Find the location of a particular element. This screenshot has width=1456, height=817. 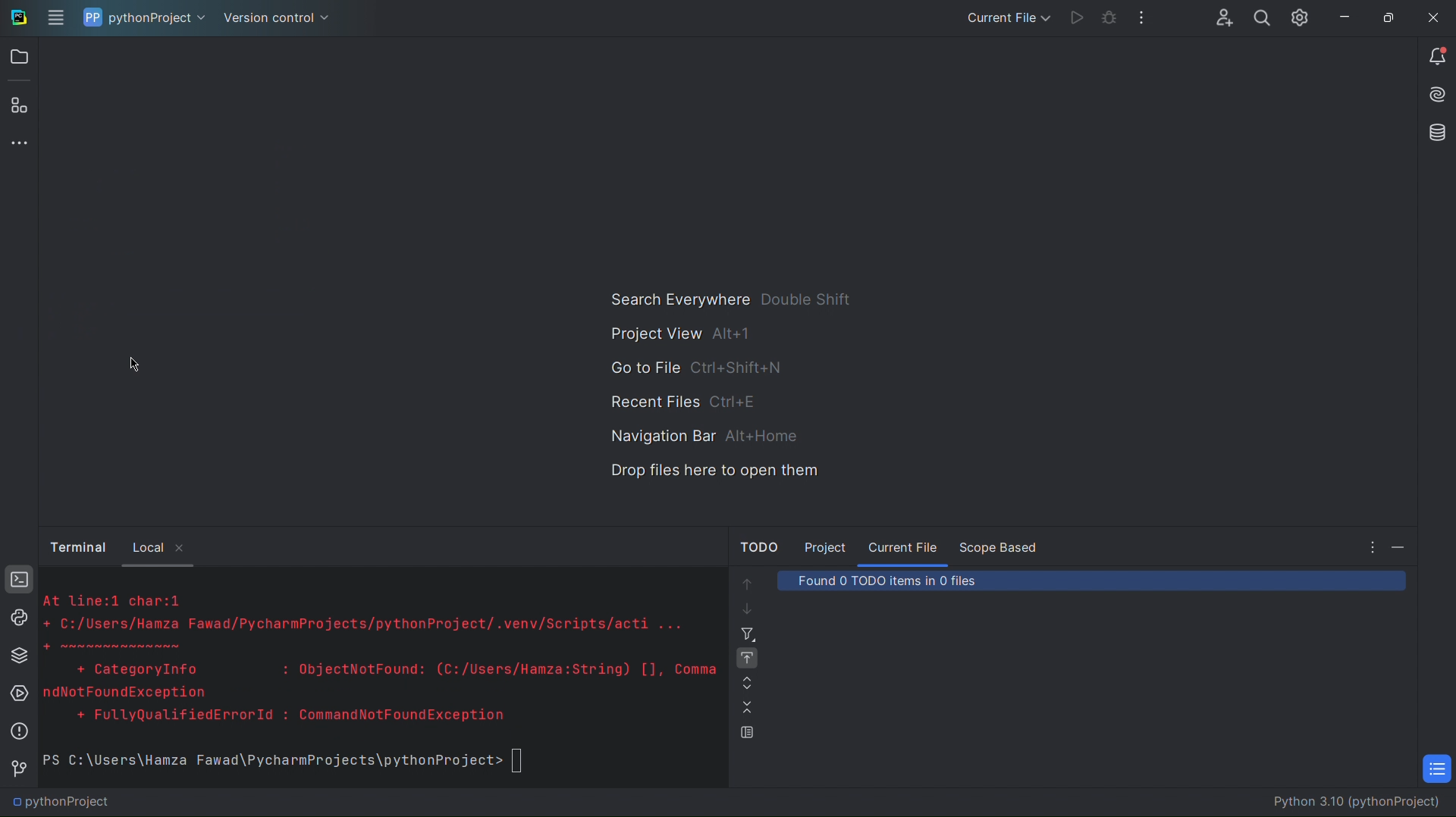

Recent Files ctrl+e is located at coordinates (687, 400).